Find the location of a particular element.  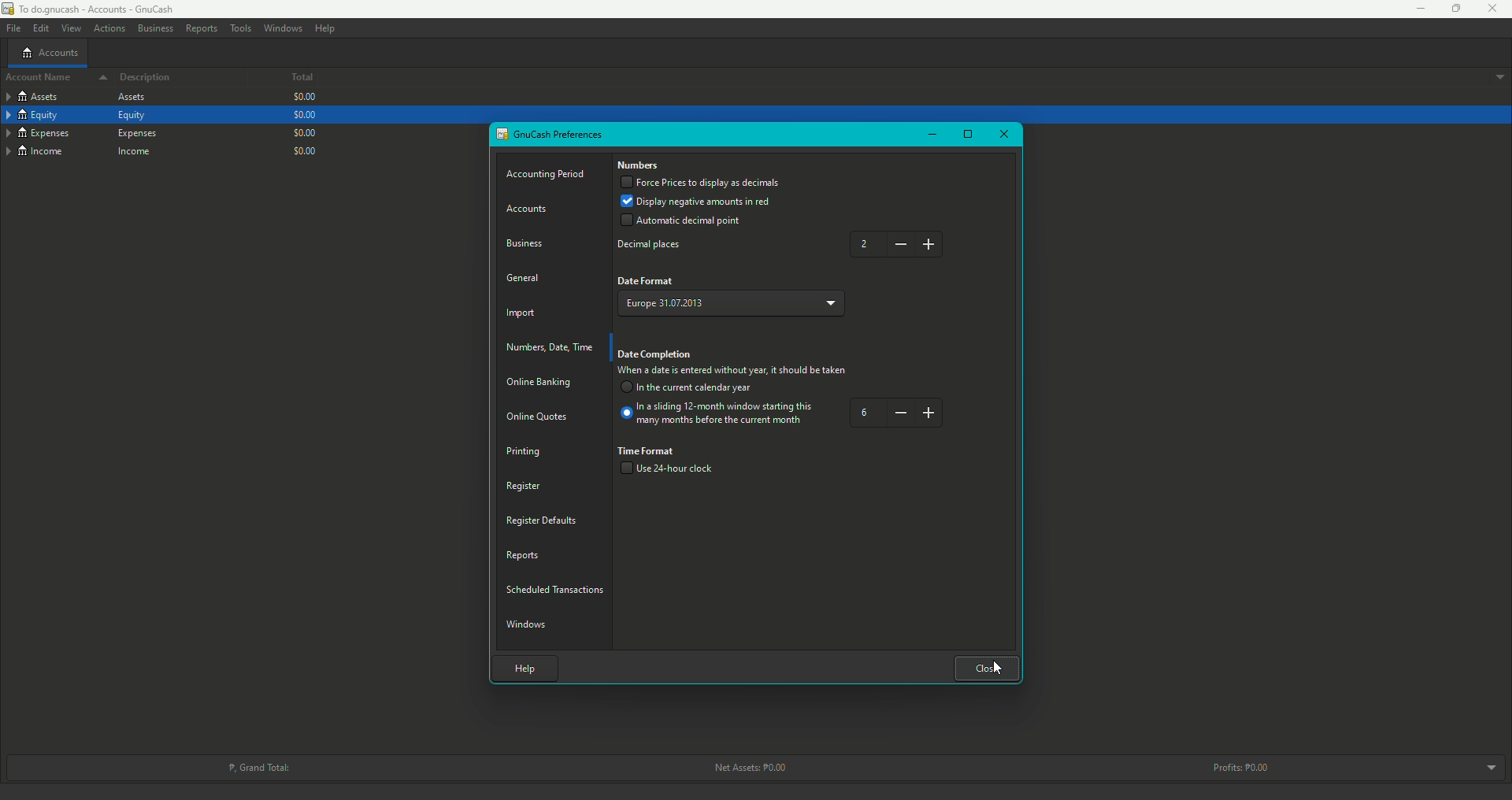

Restore is located at coordinates (1449, 9).